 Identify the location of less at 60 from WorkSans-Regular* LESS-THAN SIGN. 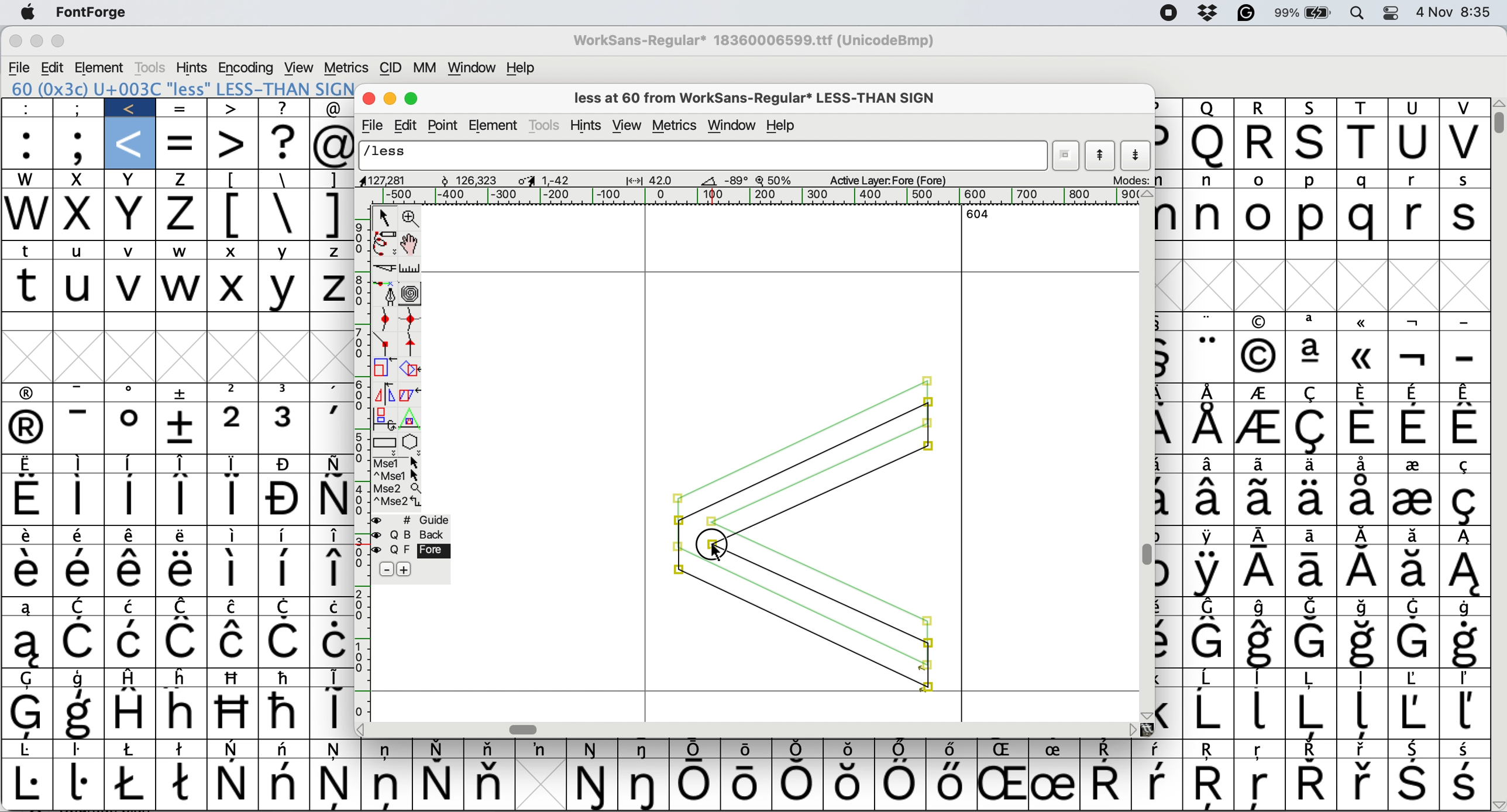
(761, 96).